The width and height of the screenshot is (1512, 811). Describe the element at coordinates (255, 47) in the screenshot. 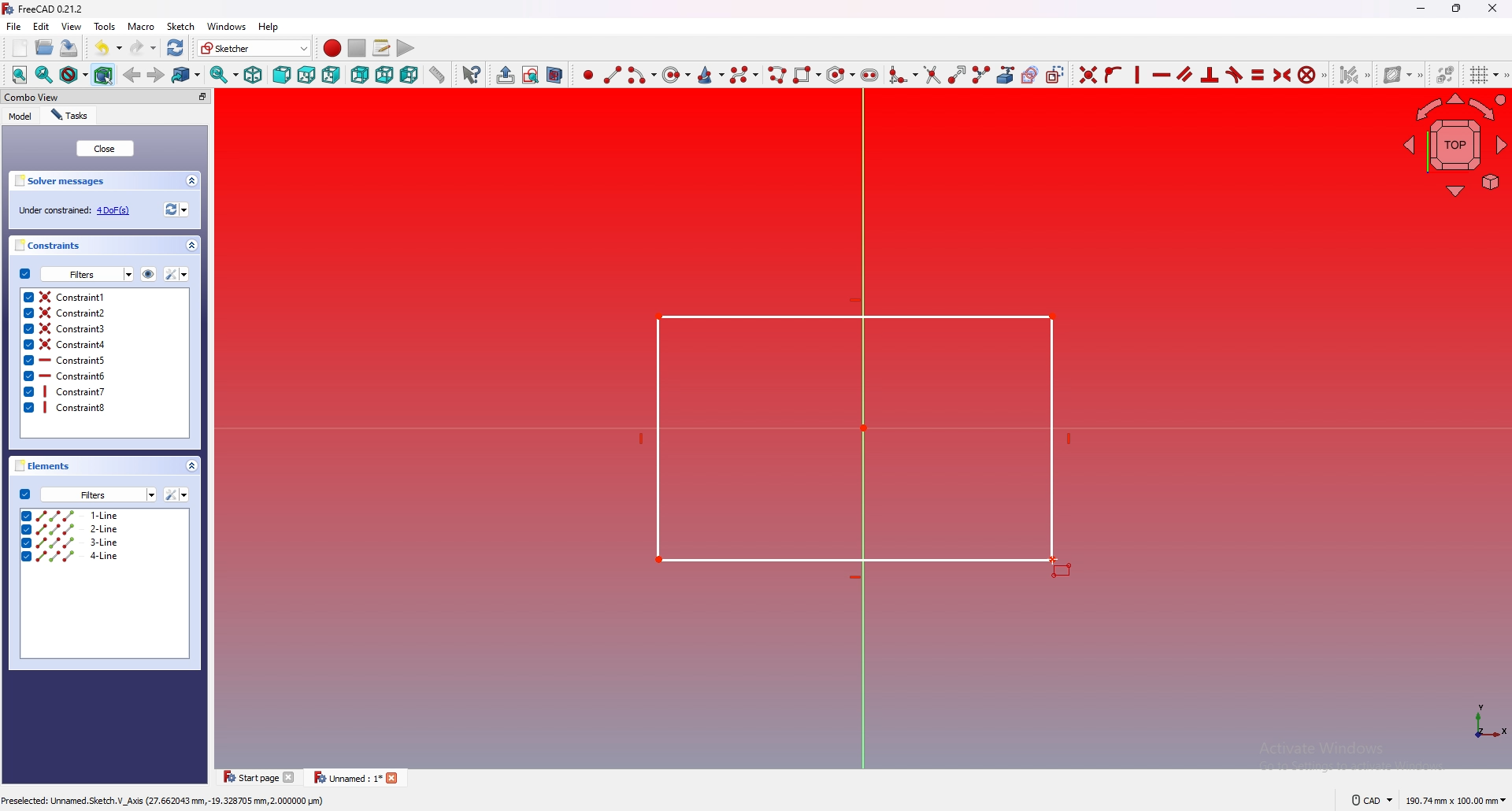

I see `switch workbench` at that location.